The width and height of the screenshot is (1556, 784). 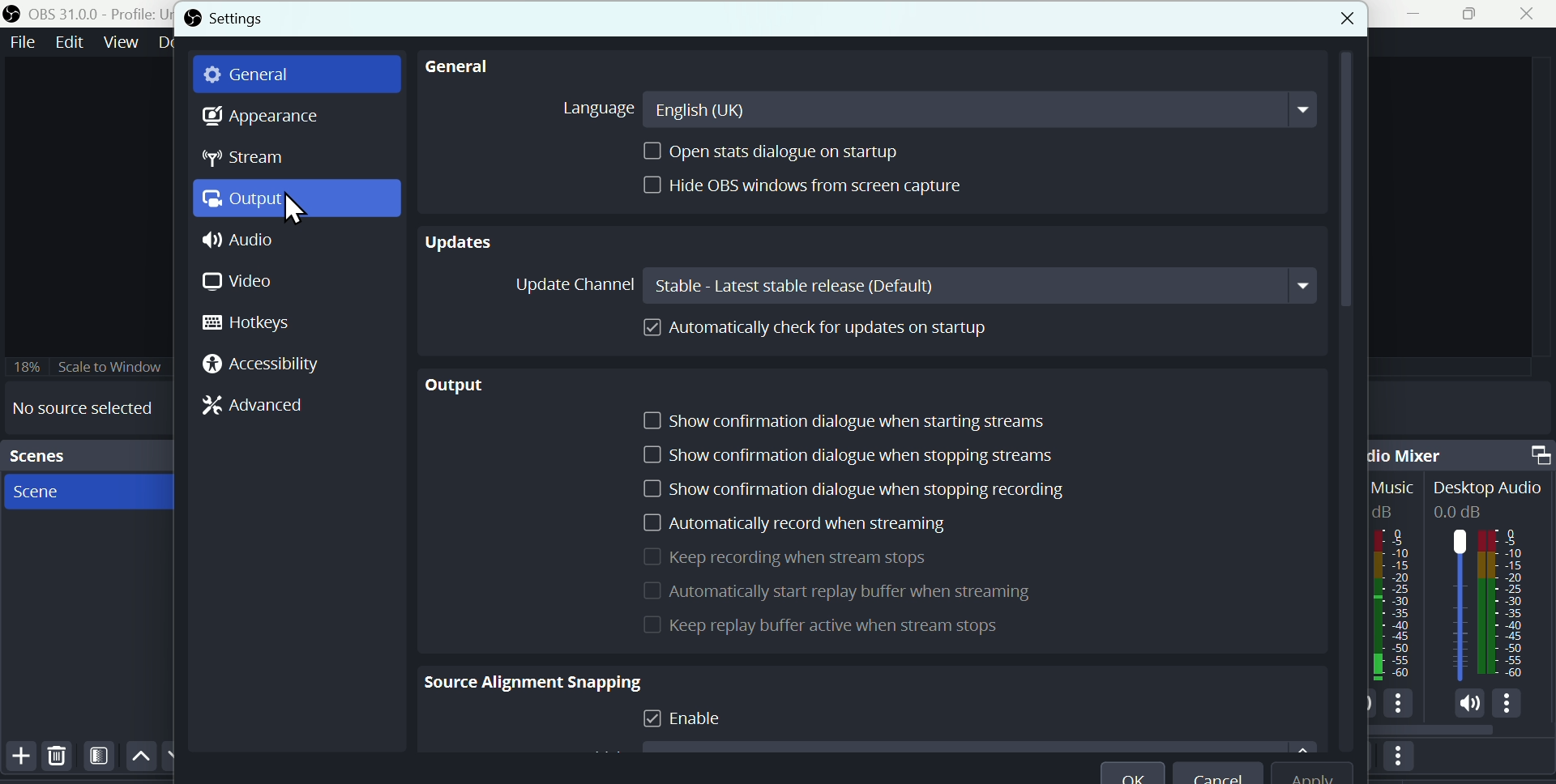 I want to click on Edit, so click(x=69, y=44).